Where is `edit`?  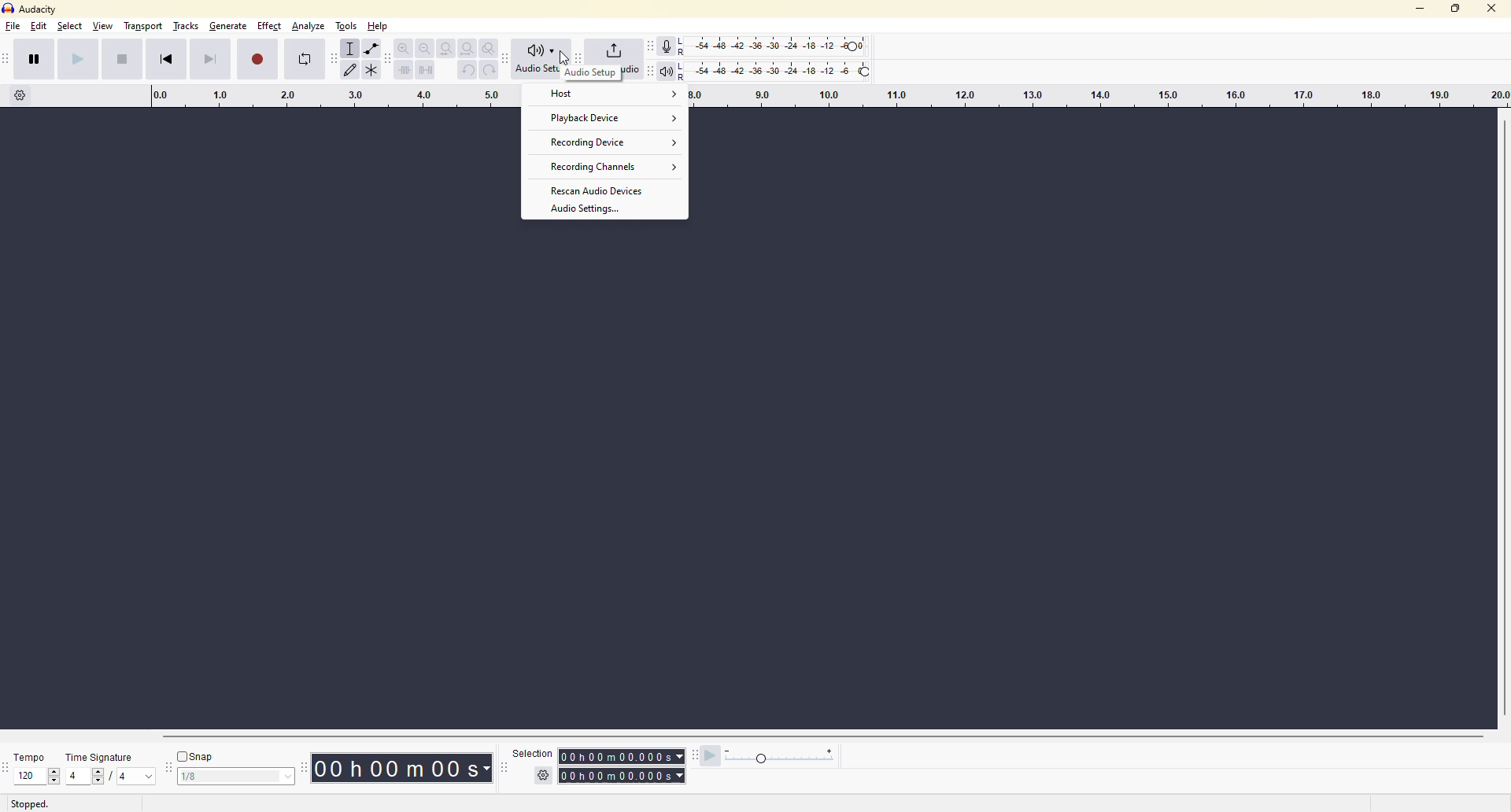 edit is located at coordinates (36, 27).